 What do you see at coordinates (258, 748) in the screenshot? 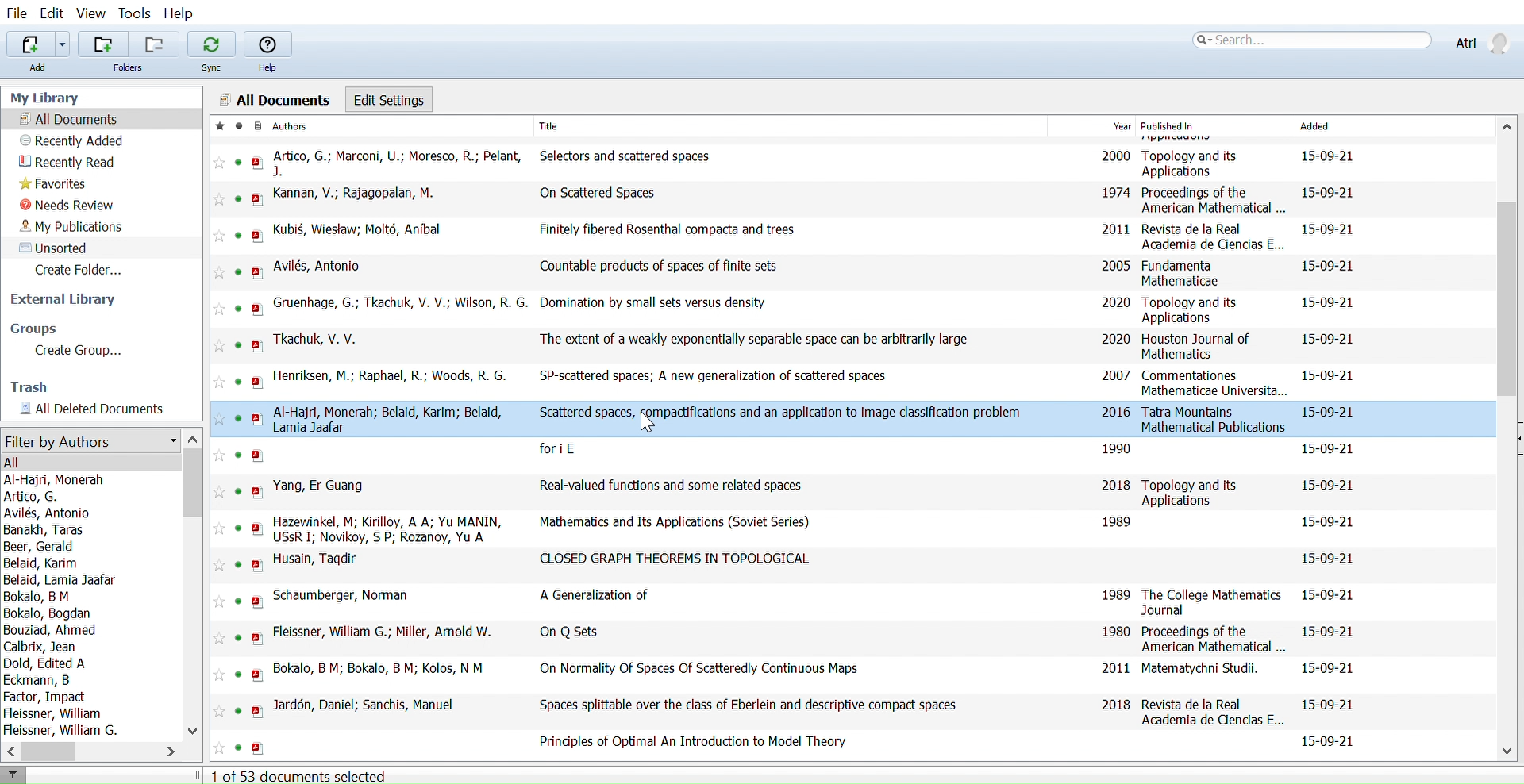
I see `PDF Document` at bounding box center [258, 748].